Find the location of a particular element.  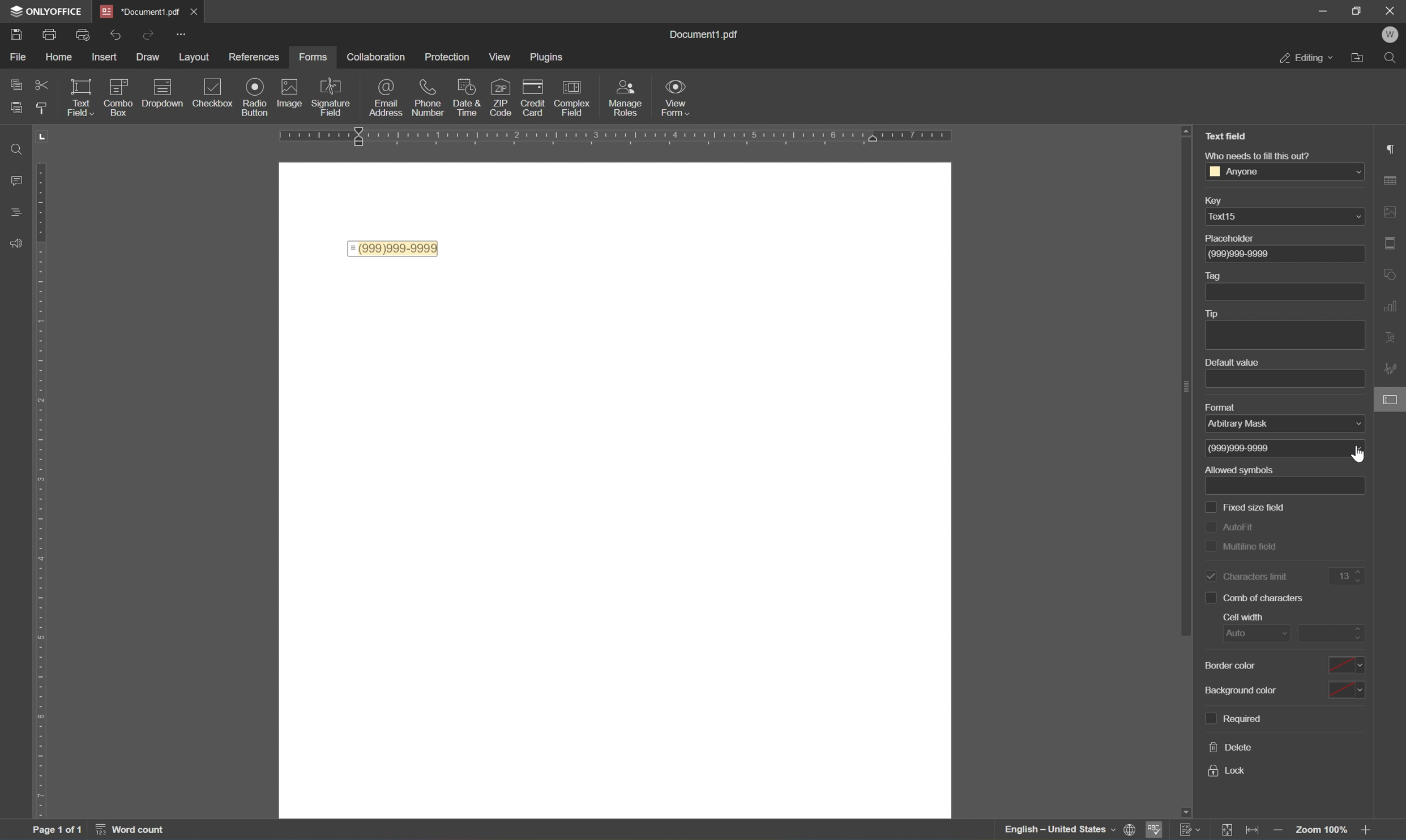

allowed symbol is located at coordinates (1240, 470).